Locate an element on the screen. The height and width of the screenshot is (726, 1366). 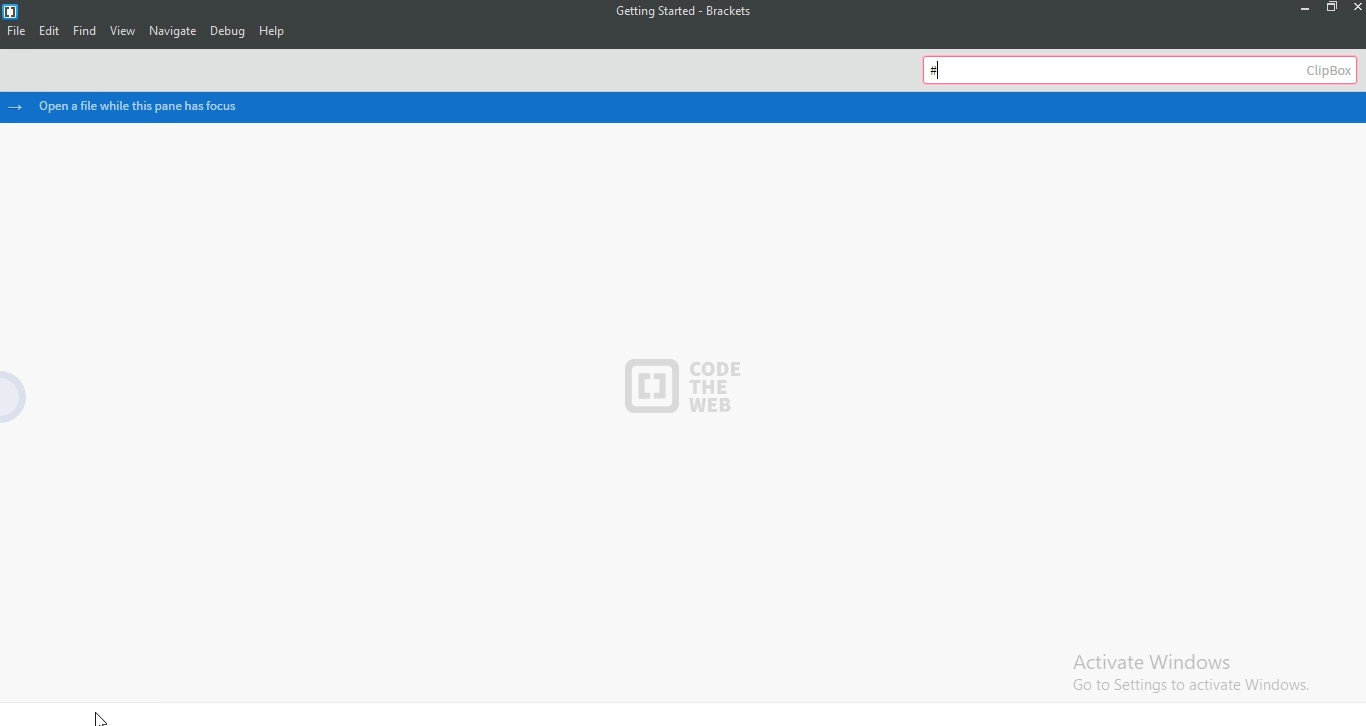
minimize is located at coordinates (1299, 8).